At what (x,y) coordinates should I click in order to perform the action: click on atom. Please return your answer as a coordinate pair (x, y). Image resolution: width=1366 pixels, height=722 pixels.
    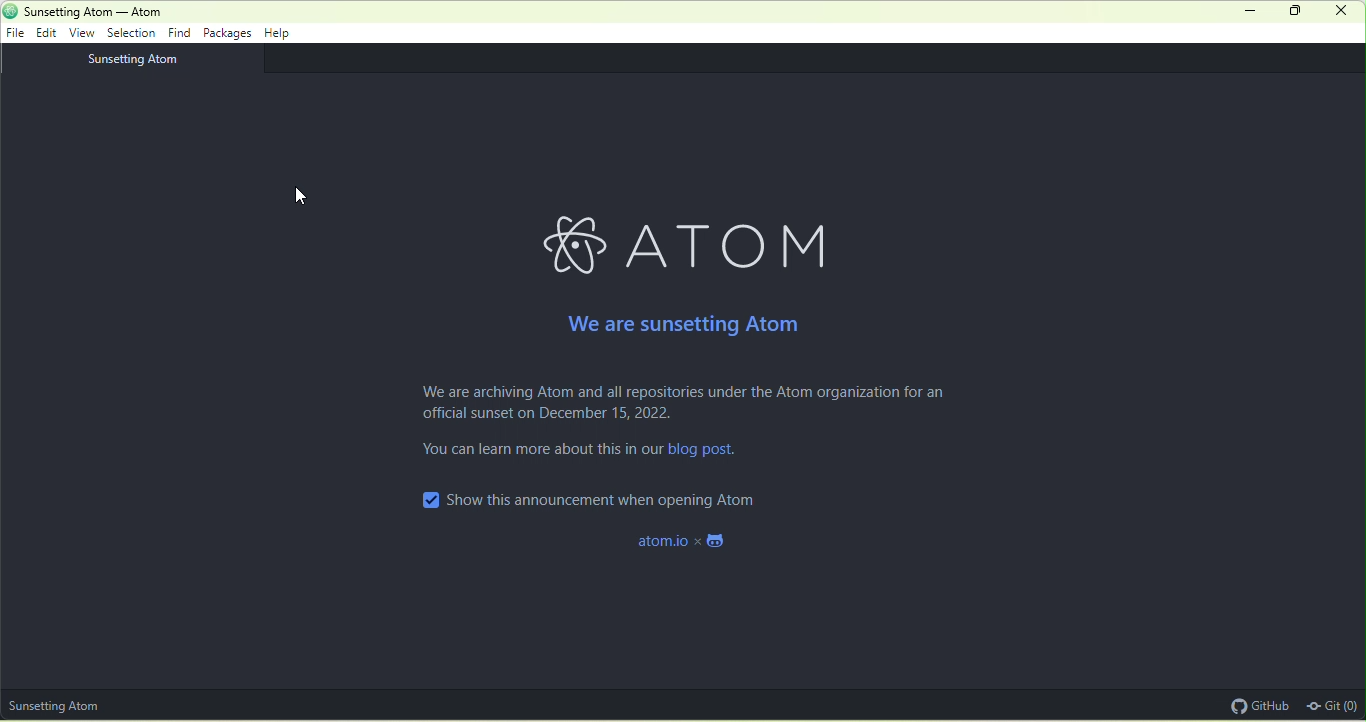
    Looking at the image, I should click on (741, 244).